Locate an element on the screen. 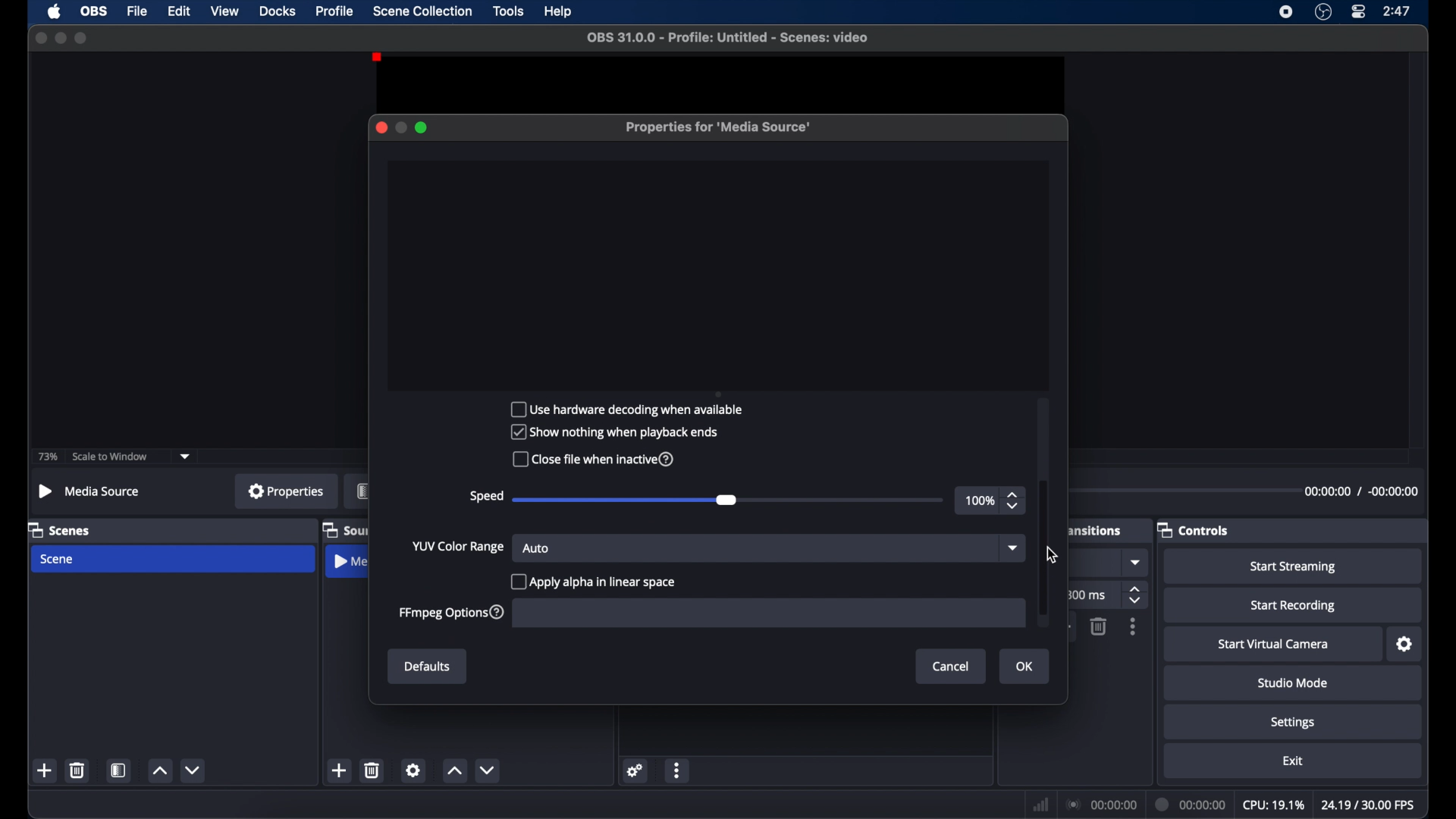  properties for media source is located at coordinates (720, 127).